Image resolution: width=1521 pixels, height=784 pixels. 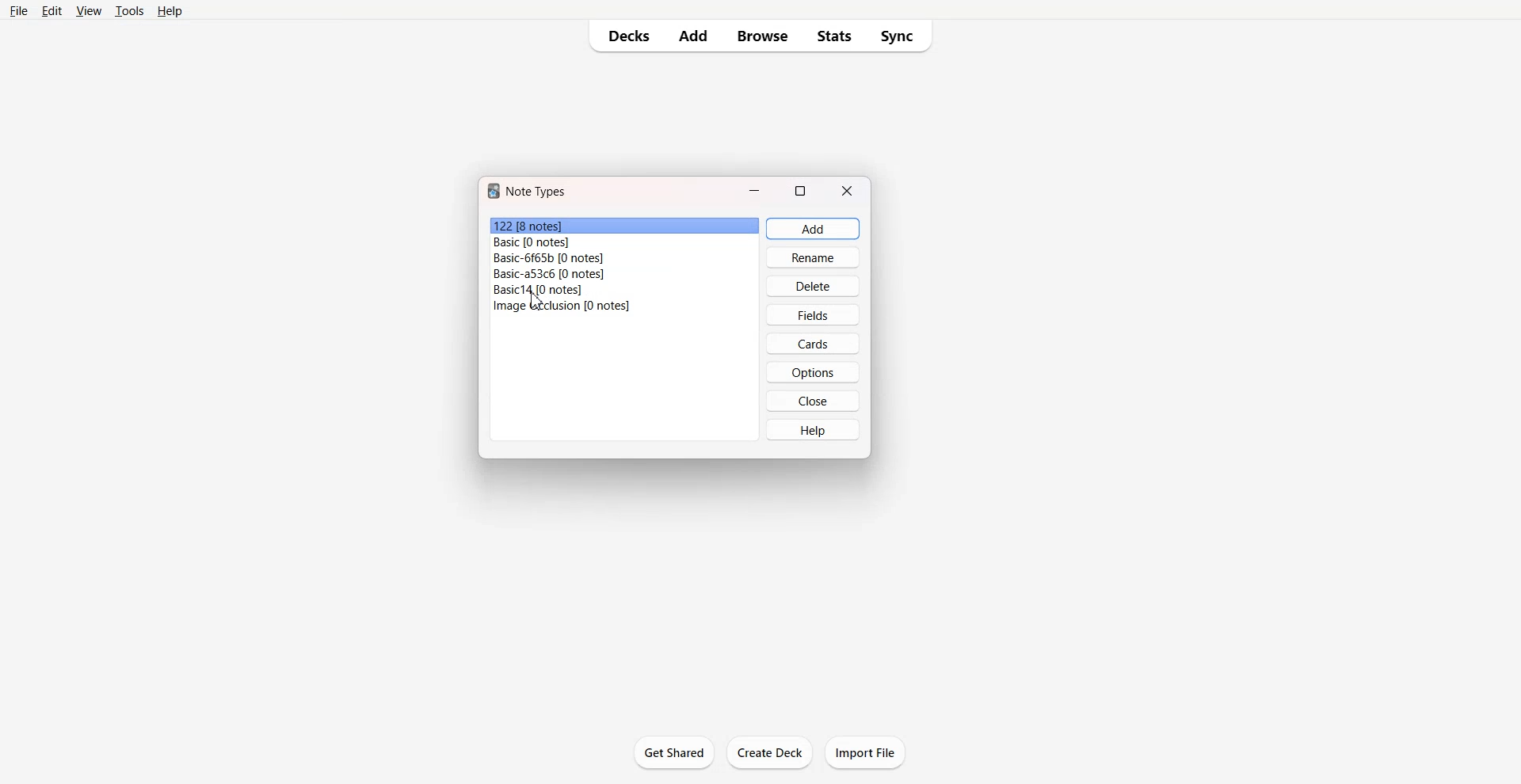 I want to click on Minimize, so click(x=755, y=189).